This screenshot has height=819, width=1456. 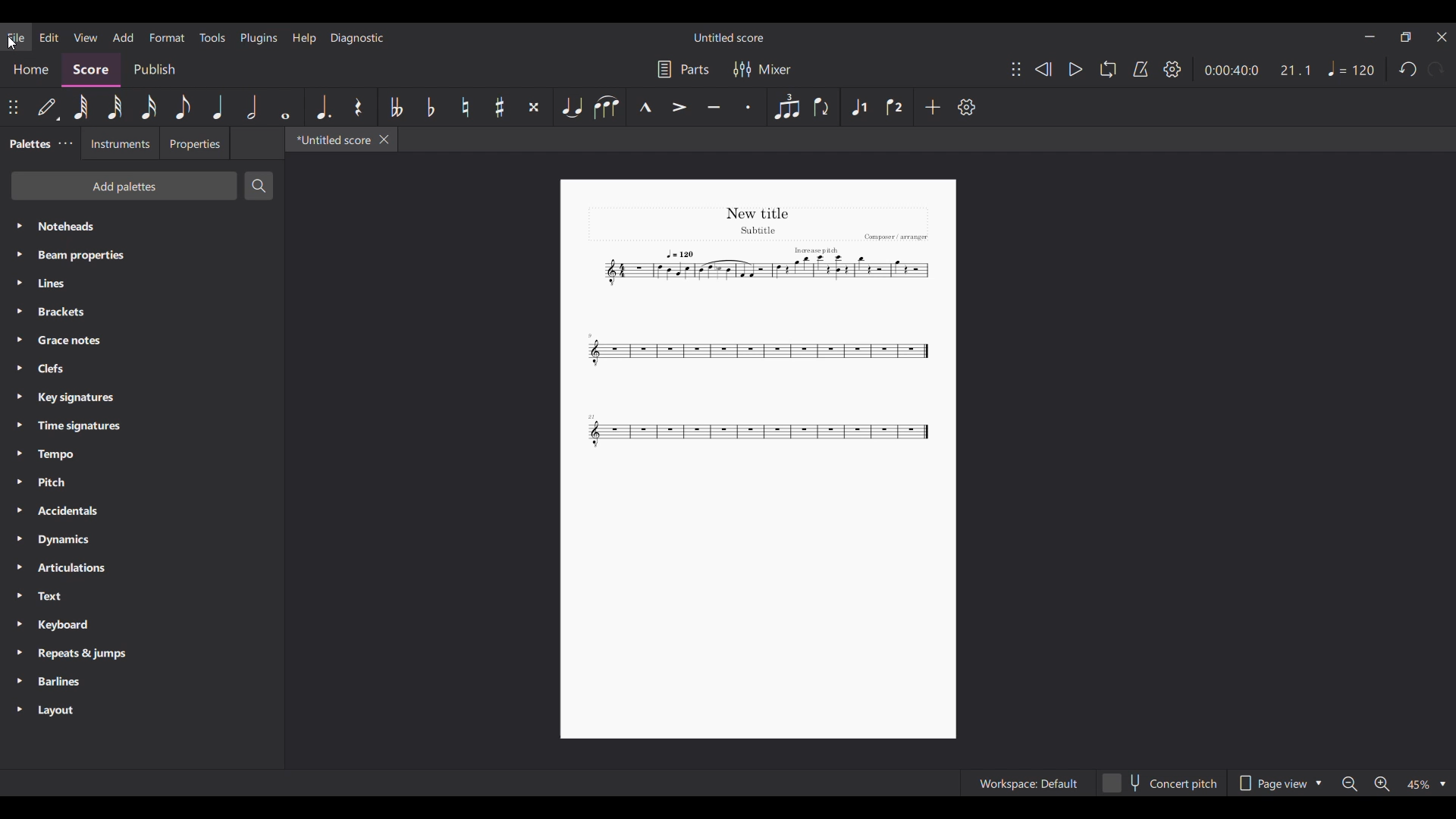 What do you see at coordinates (714, 107) in the screenshot?
I see `Tenuto` at bounding box center [714, 107].